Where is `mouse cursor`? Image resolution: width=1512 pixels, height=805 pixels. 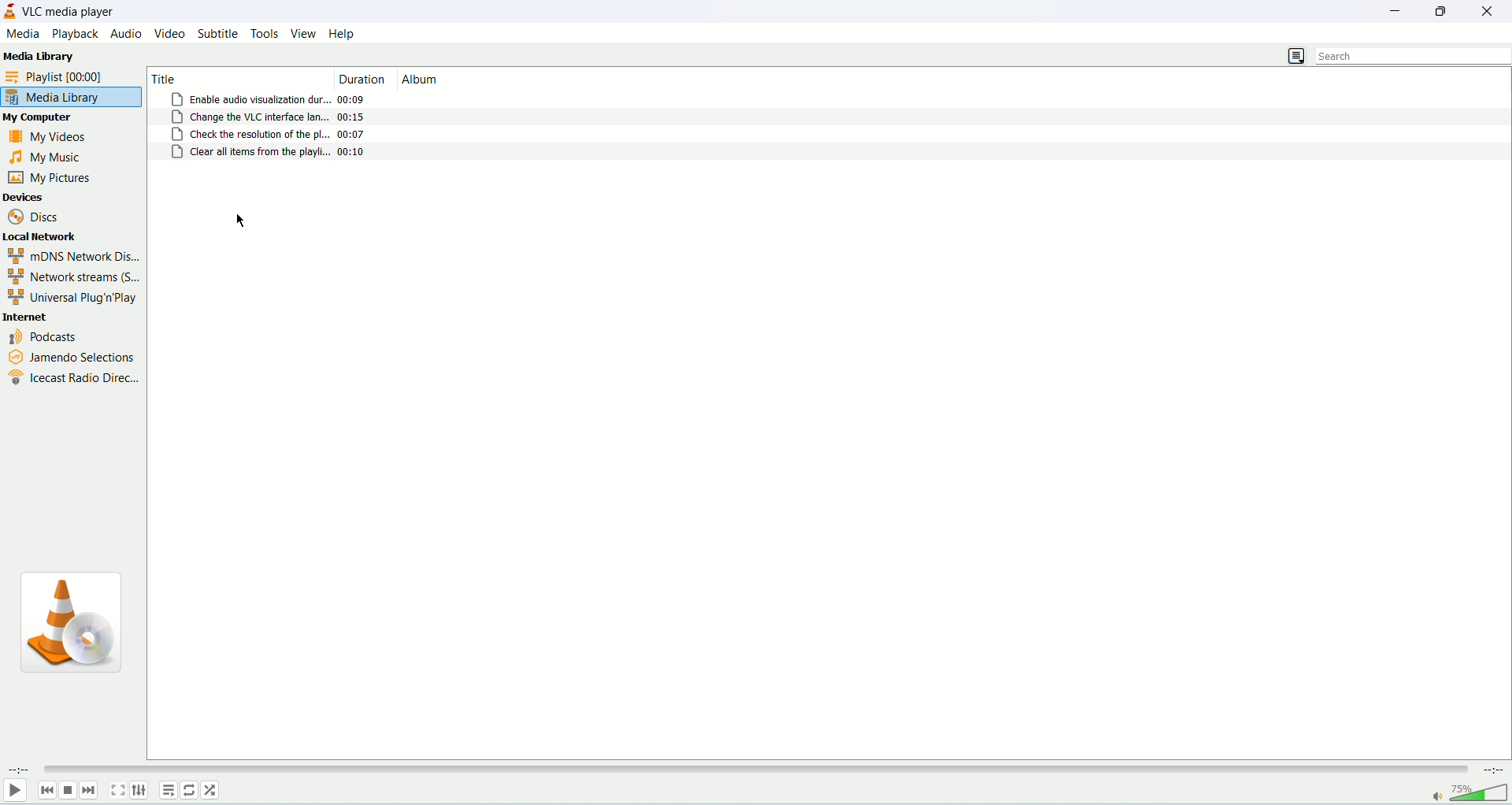 mouse cursor is located at coordinates (240, 220).